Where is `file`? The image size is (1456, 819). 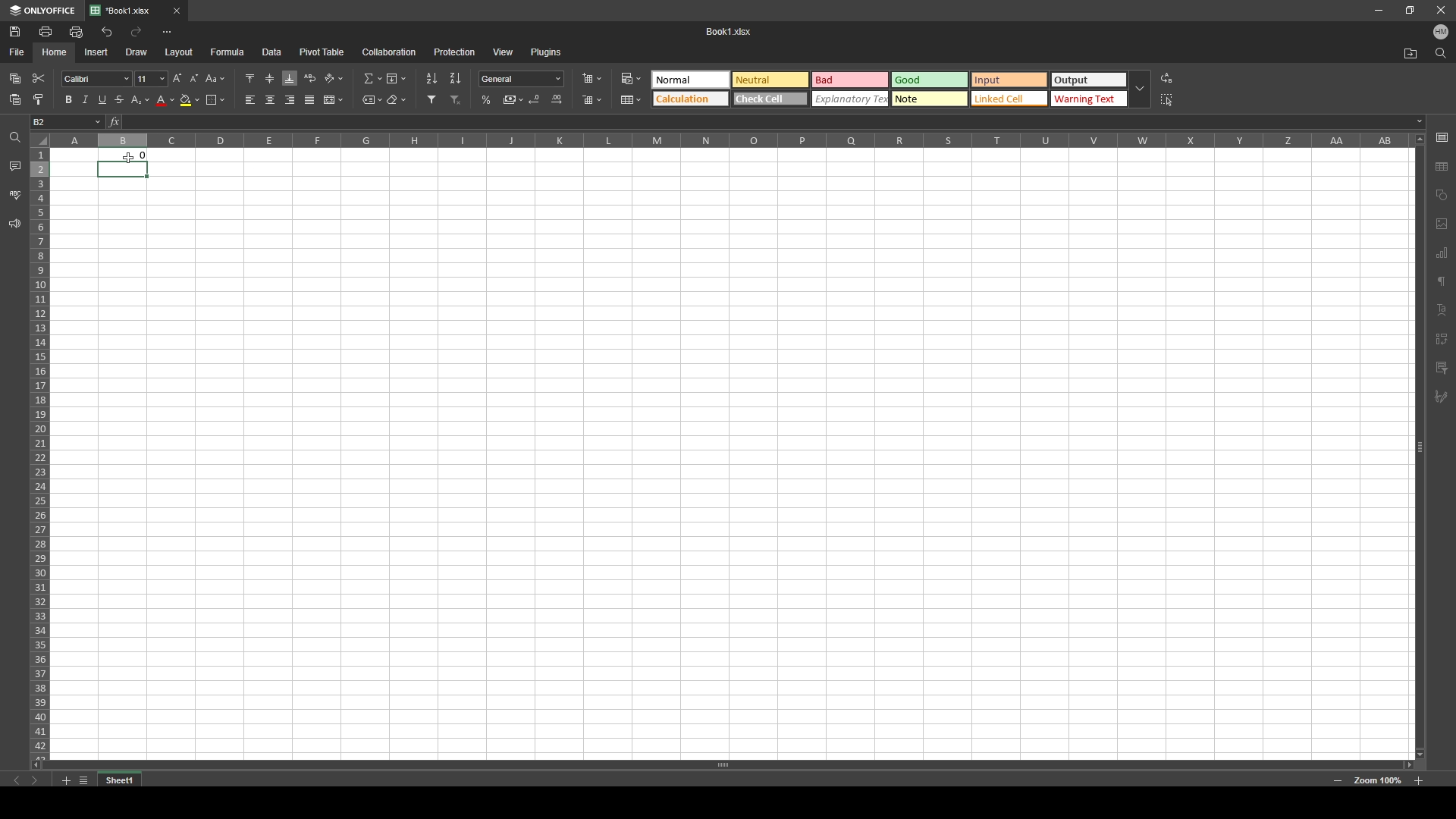
file is located at coordinates (18, 53).